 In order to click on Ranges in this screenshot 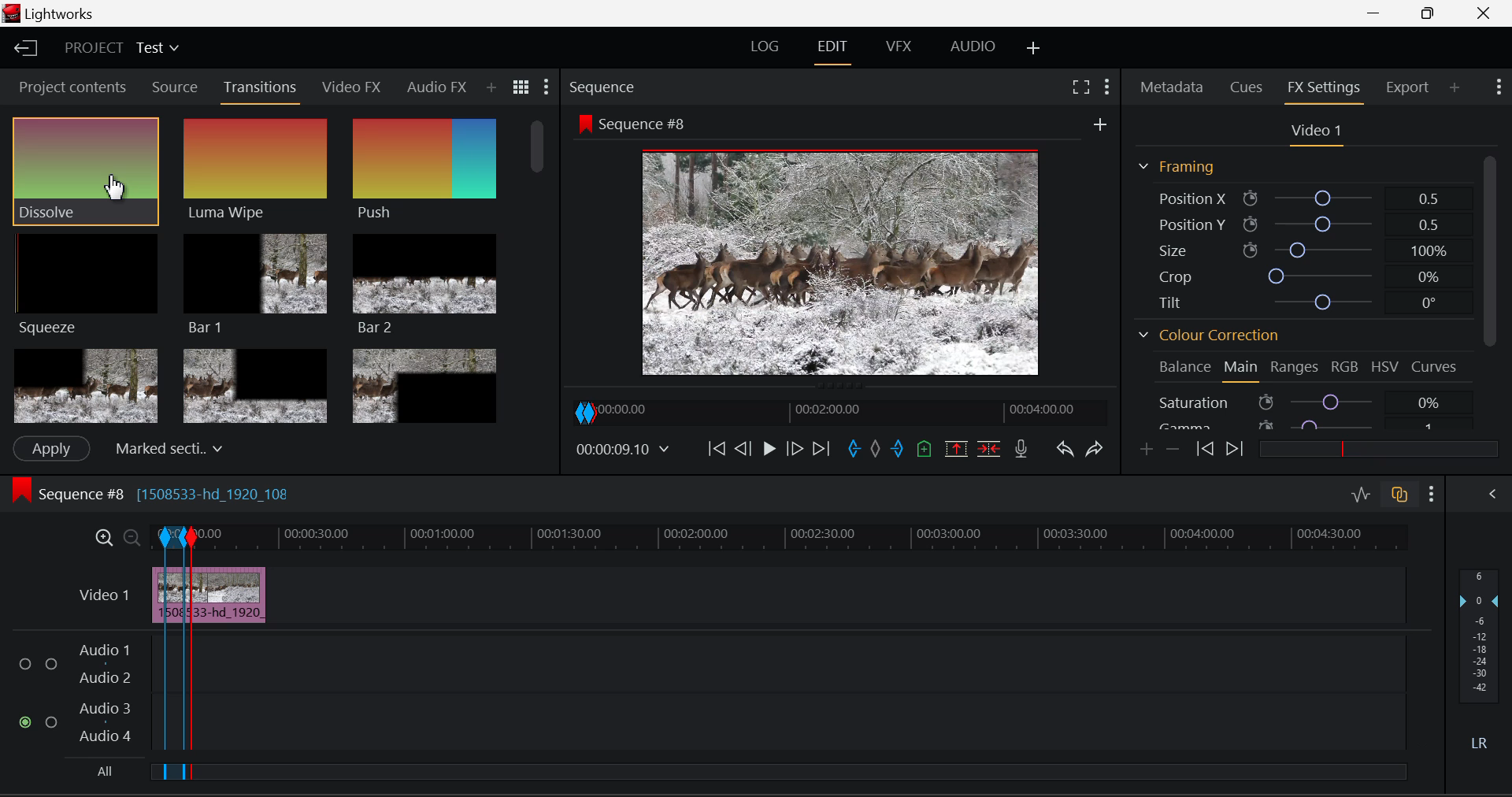, I will do `click(1295, 369)`.